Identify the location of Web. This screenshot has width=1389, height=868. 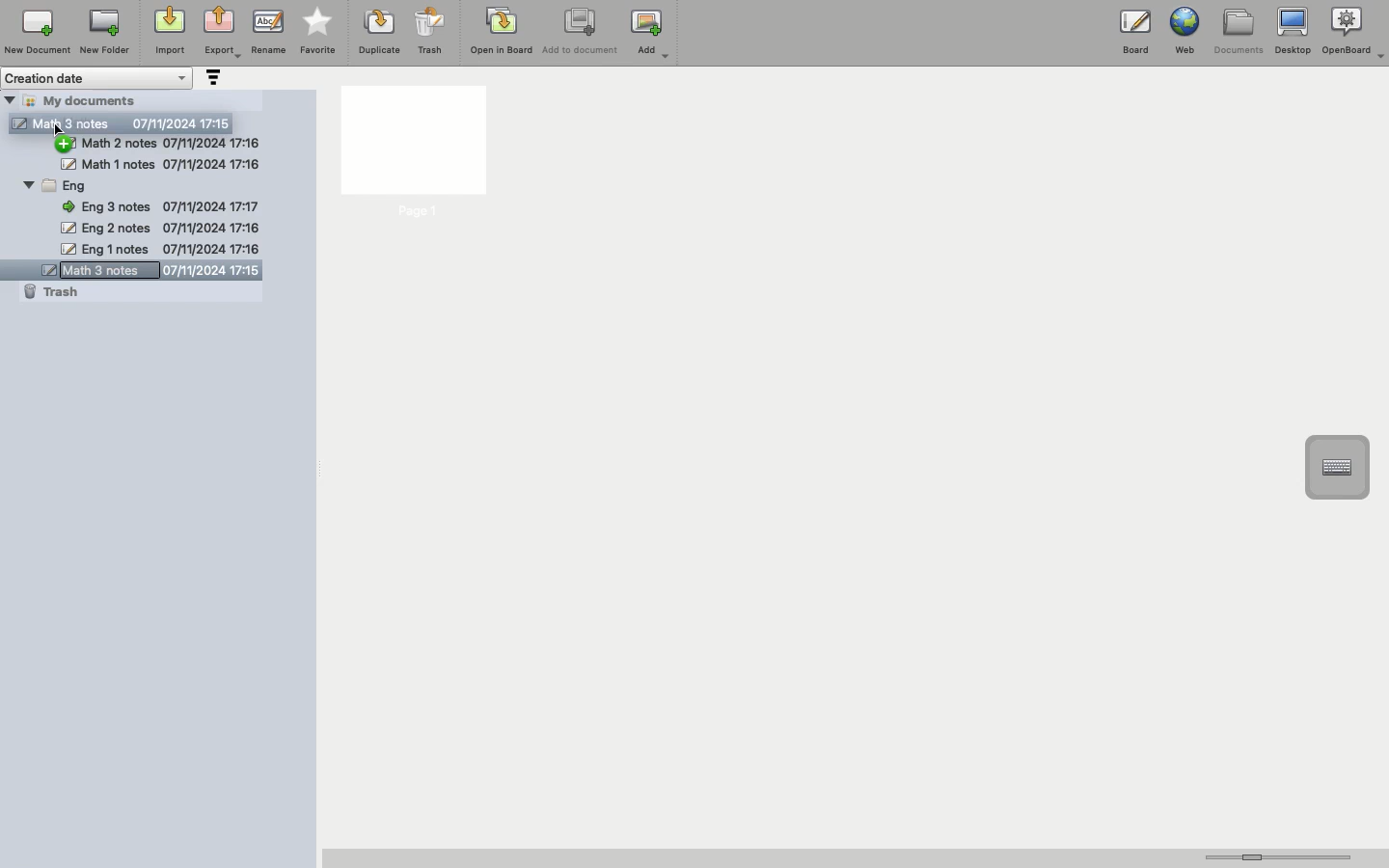
(1183, 31).